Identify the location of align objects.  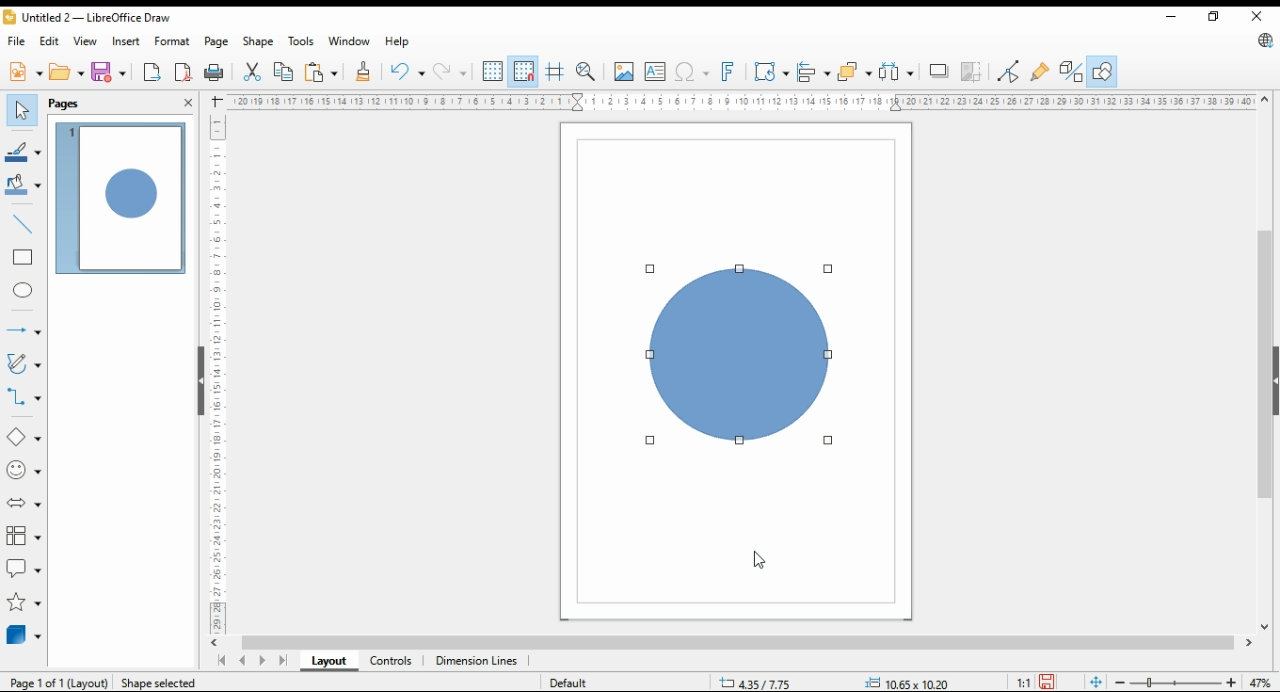
(813, 73).